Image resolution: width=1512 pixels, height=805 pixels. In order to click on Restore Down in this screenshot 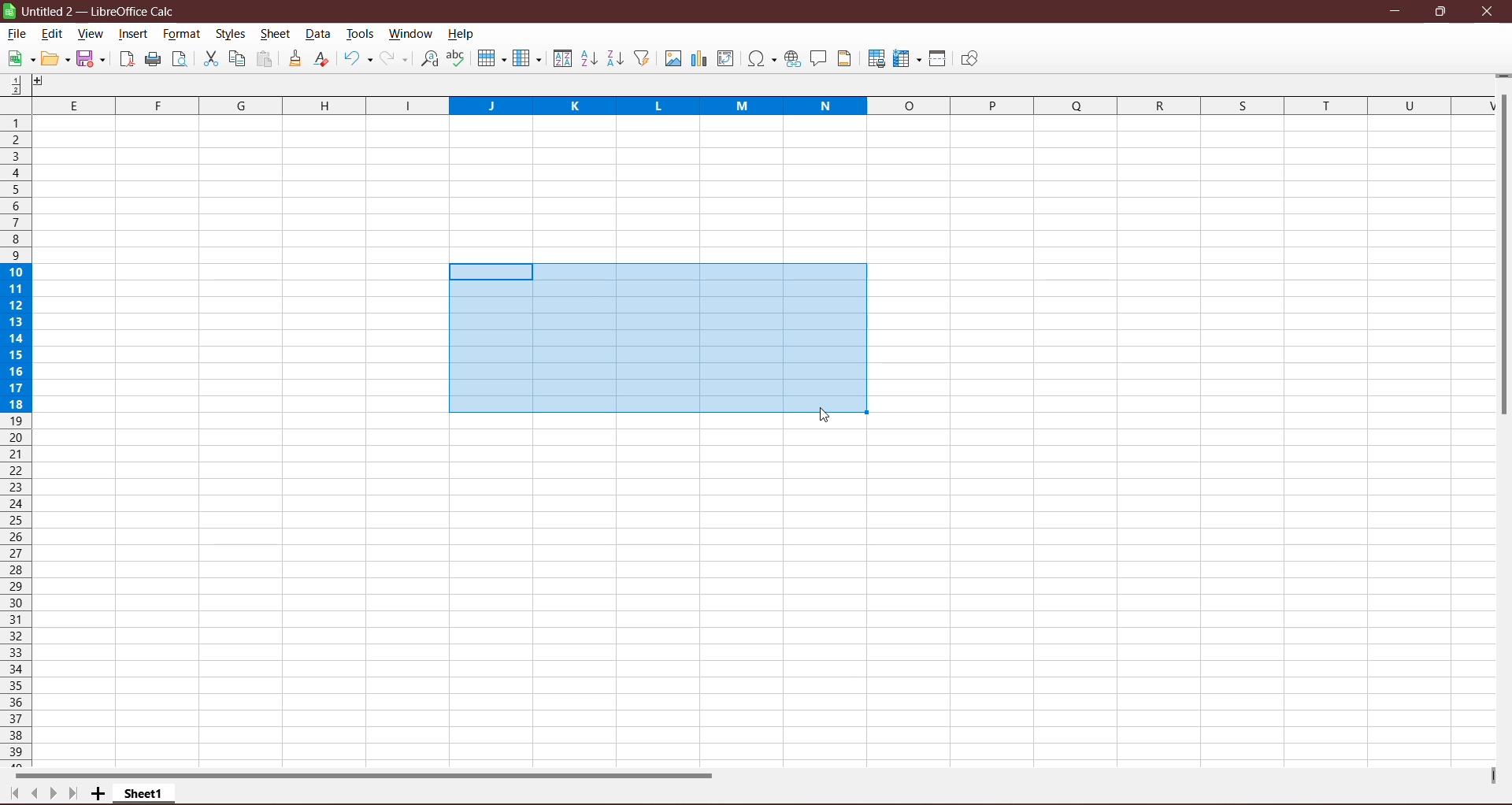, I will do `click(1440, 11)`.